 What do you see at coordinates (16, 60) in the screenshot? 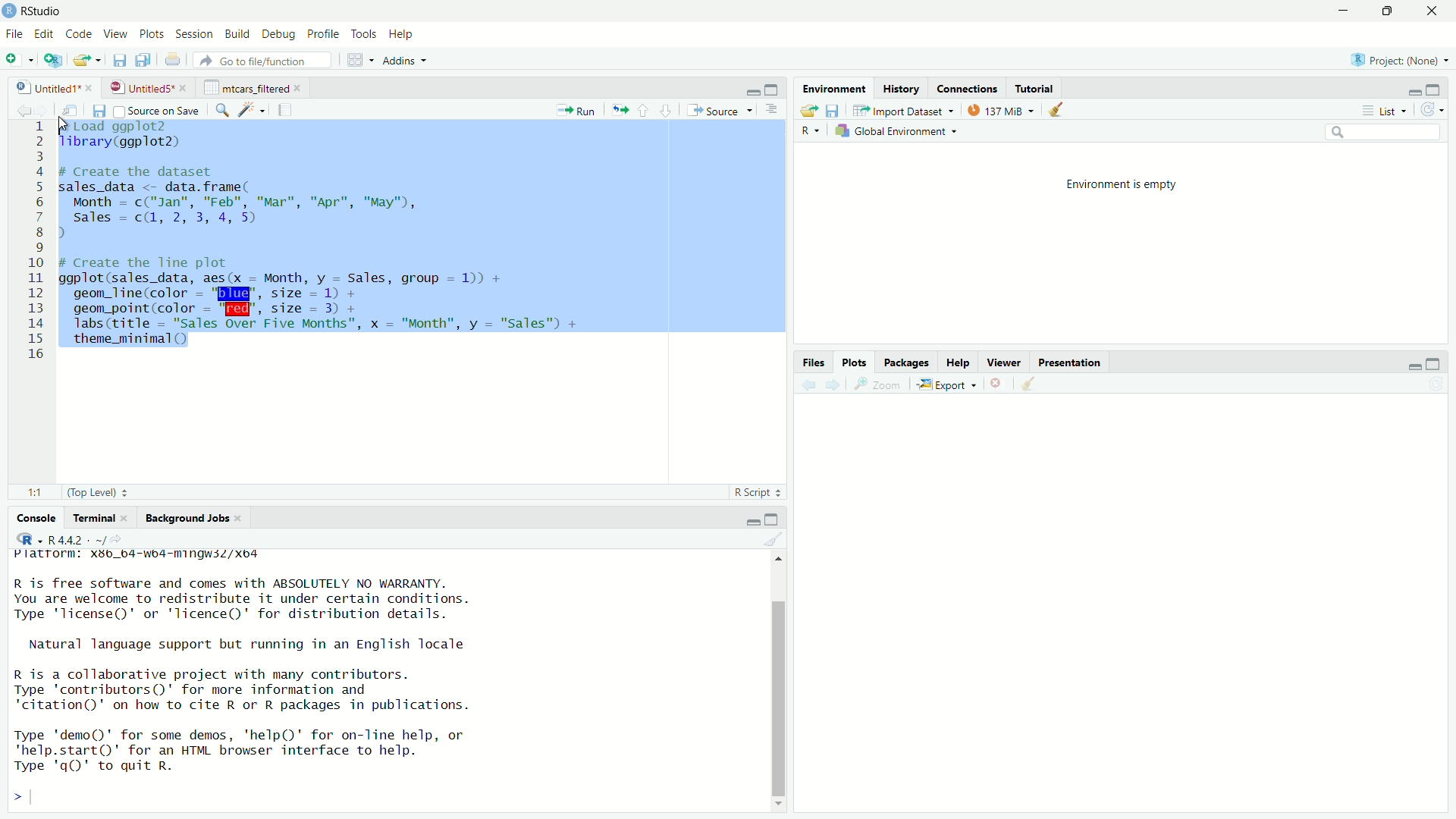
I see `new file` at bounding box center [16, 60].